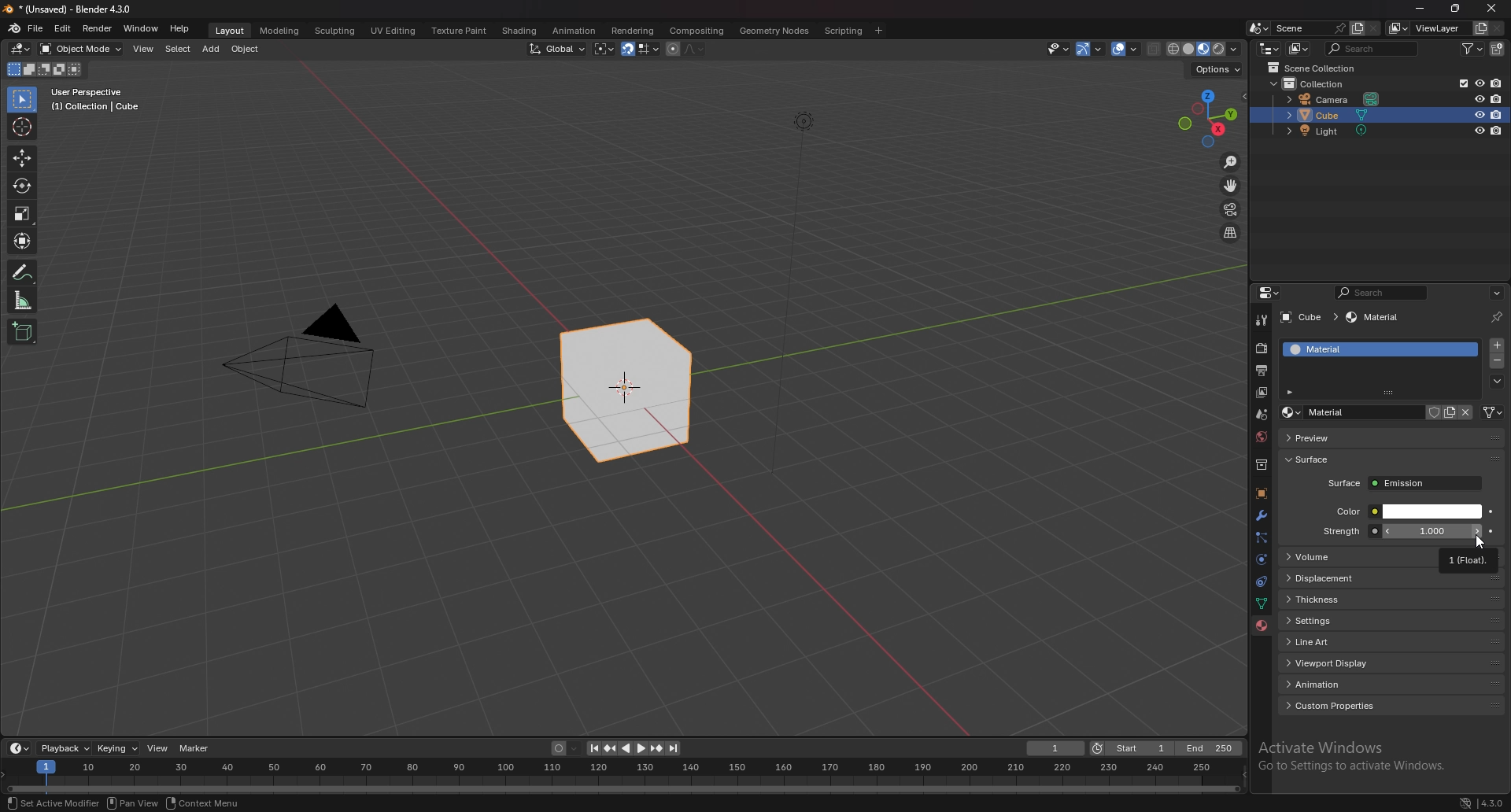 The height and width of the screenshot is (812, 1511). What do you see at coordinates (1260, 371) in the screenshot?
I see `output` at bounding box center [1260, 371].